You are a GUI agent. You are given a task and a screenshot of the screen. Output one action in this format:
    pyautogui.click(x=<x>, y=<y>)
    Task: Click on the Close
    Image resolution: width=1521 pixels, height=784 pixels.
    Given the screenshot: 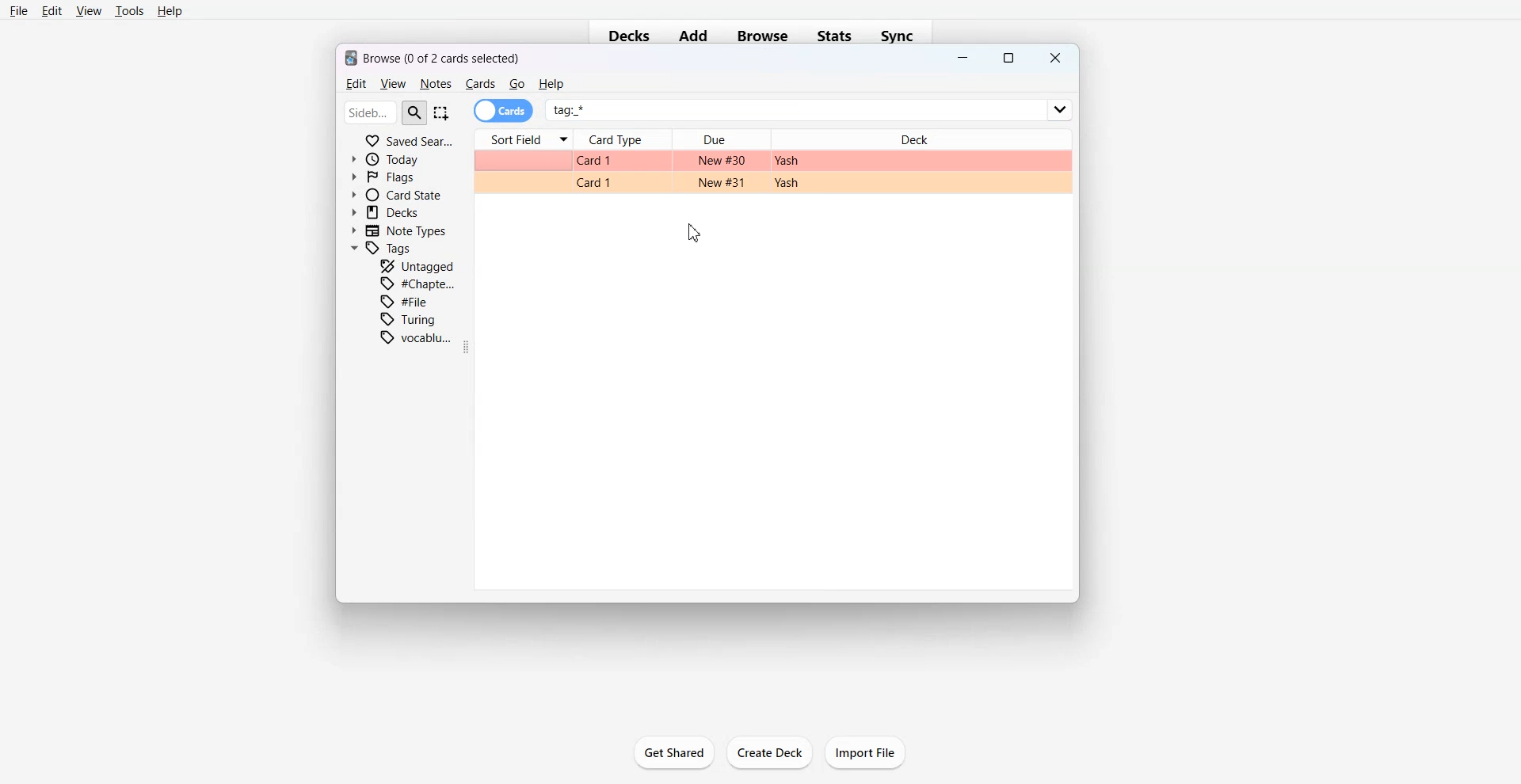 What is the action you would take?
    pyautogui.click(x=1054, y=58)
    